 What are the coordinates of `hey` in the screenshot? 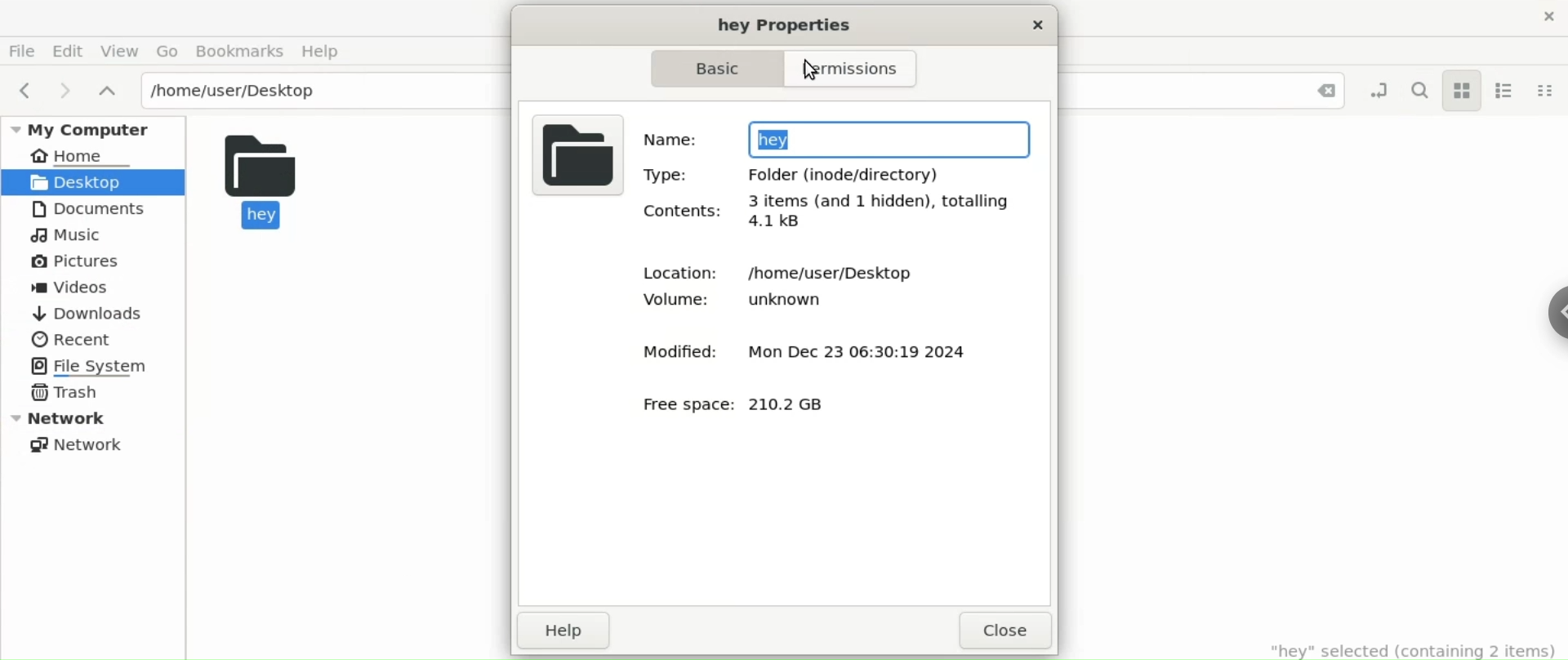 It's located at (890, 138).